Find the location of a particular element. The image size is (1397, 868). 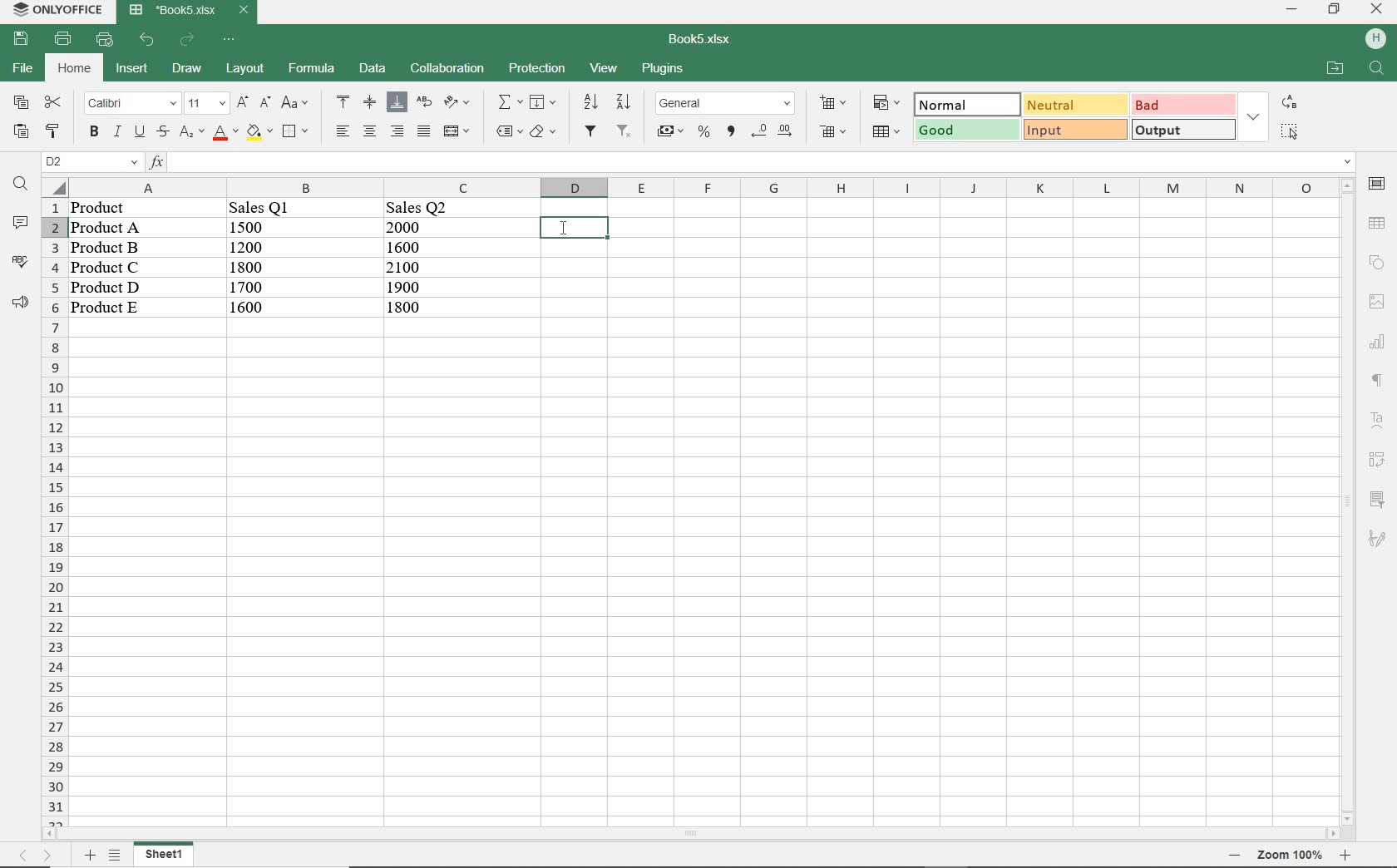

document name is located at coordinates (701, 40).